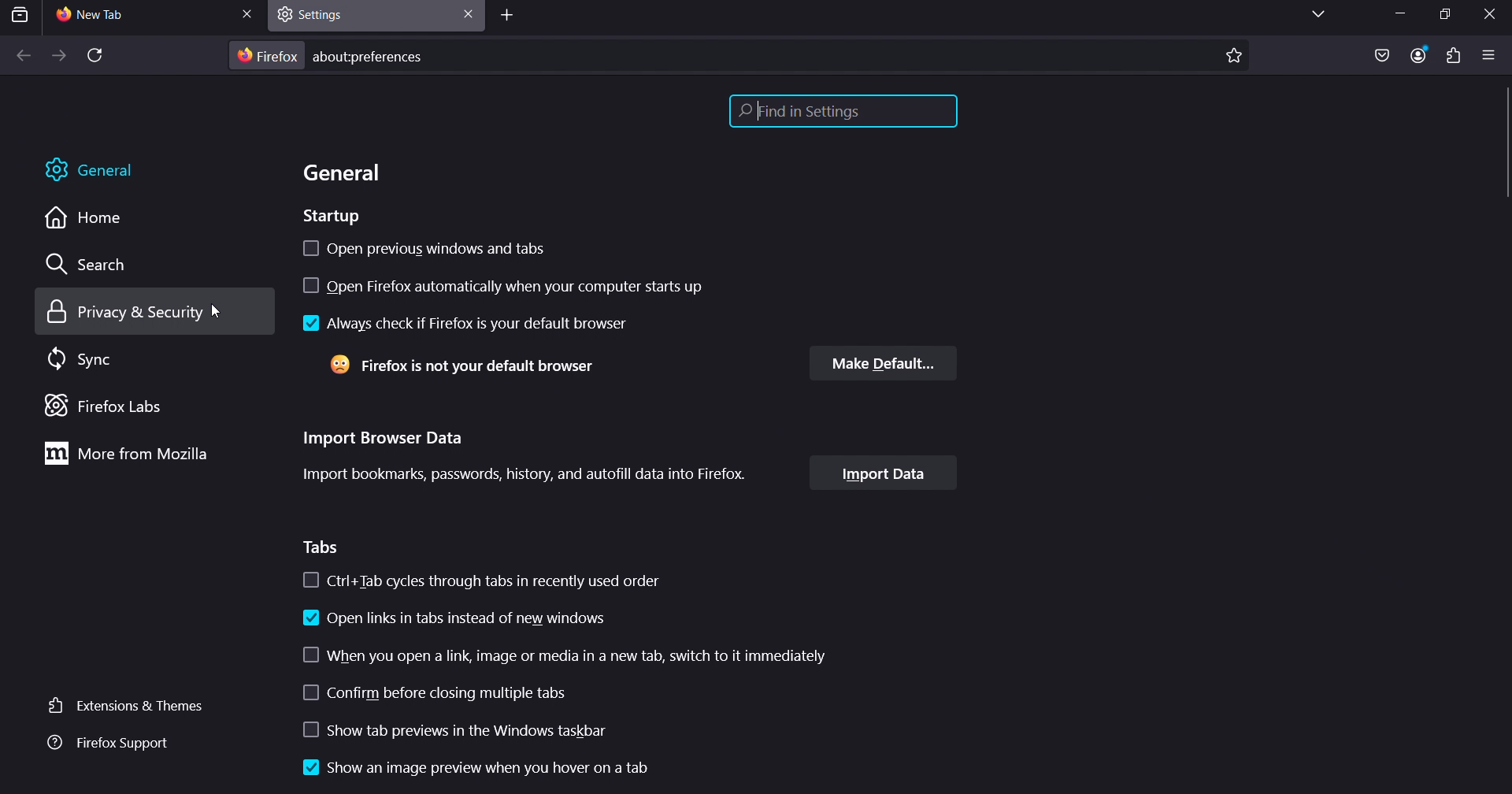  I want to click on home, so click(82, 222).